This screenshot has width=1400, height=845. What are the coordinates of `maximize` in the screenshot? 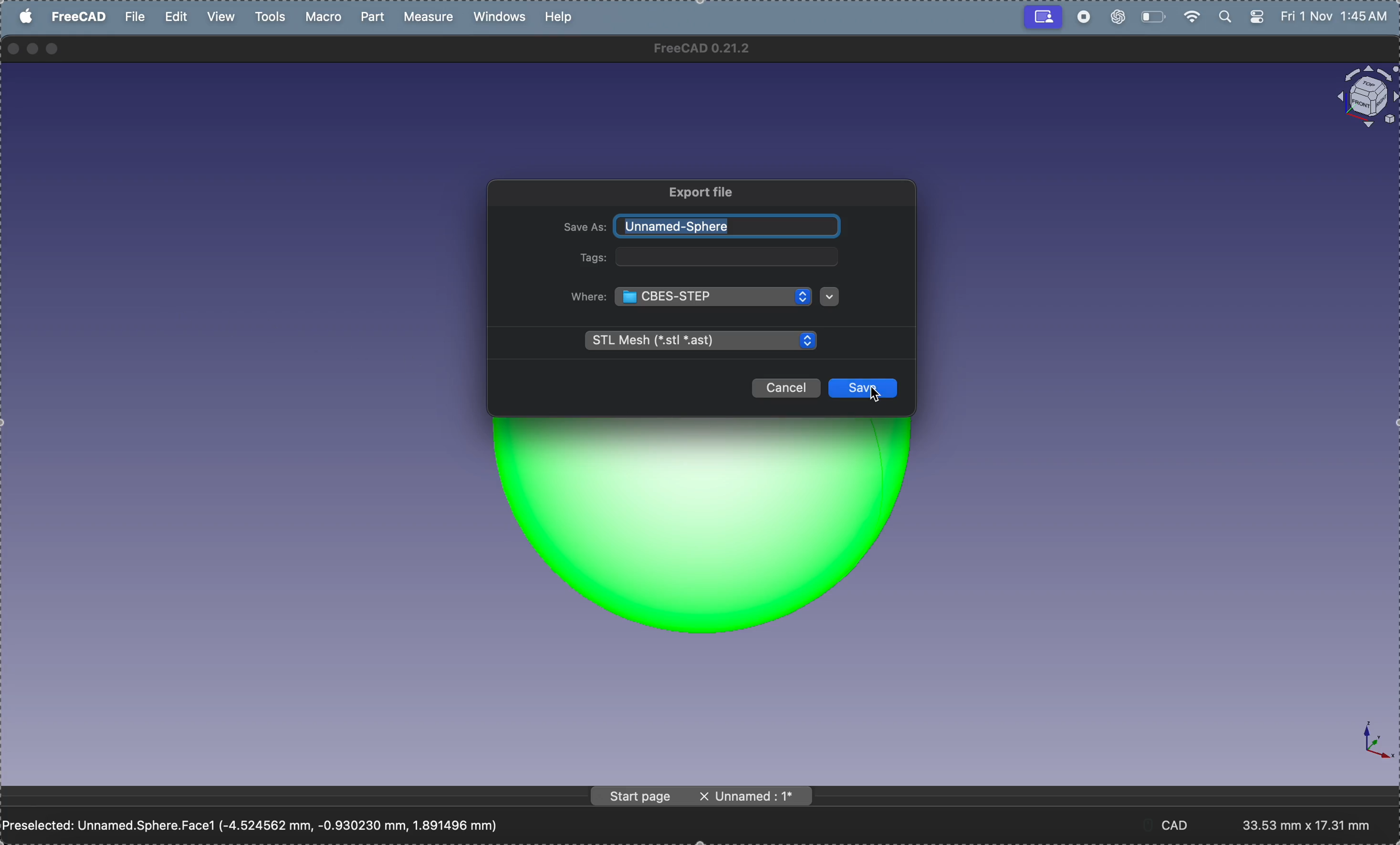 It's located at (56, 49).